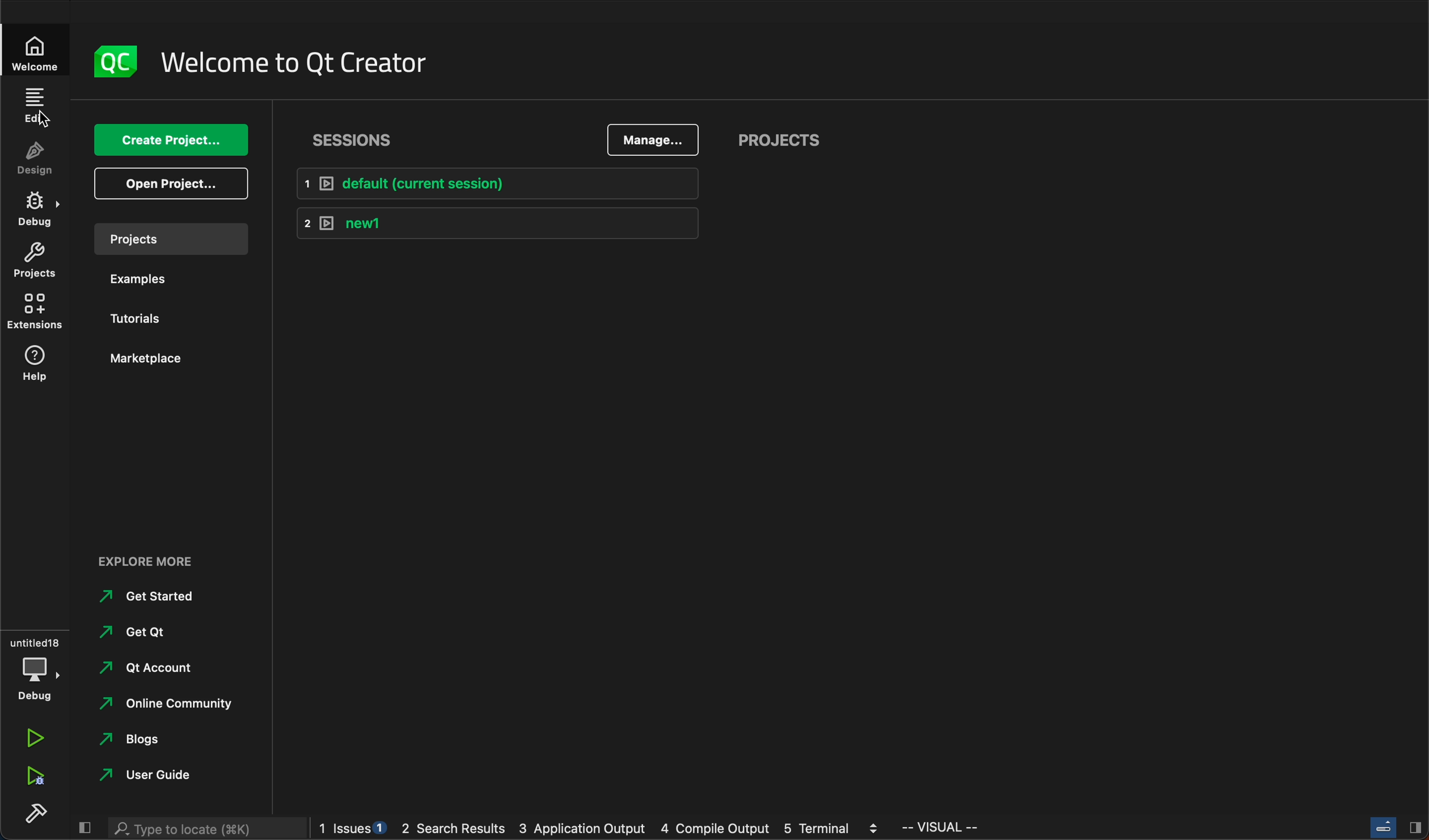  I want to click on close sidebar, so click(1396, 828).